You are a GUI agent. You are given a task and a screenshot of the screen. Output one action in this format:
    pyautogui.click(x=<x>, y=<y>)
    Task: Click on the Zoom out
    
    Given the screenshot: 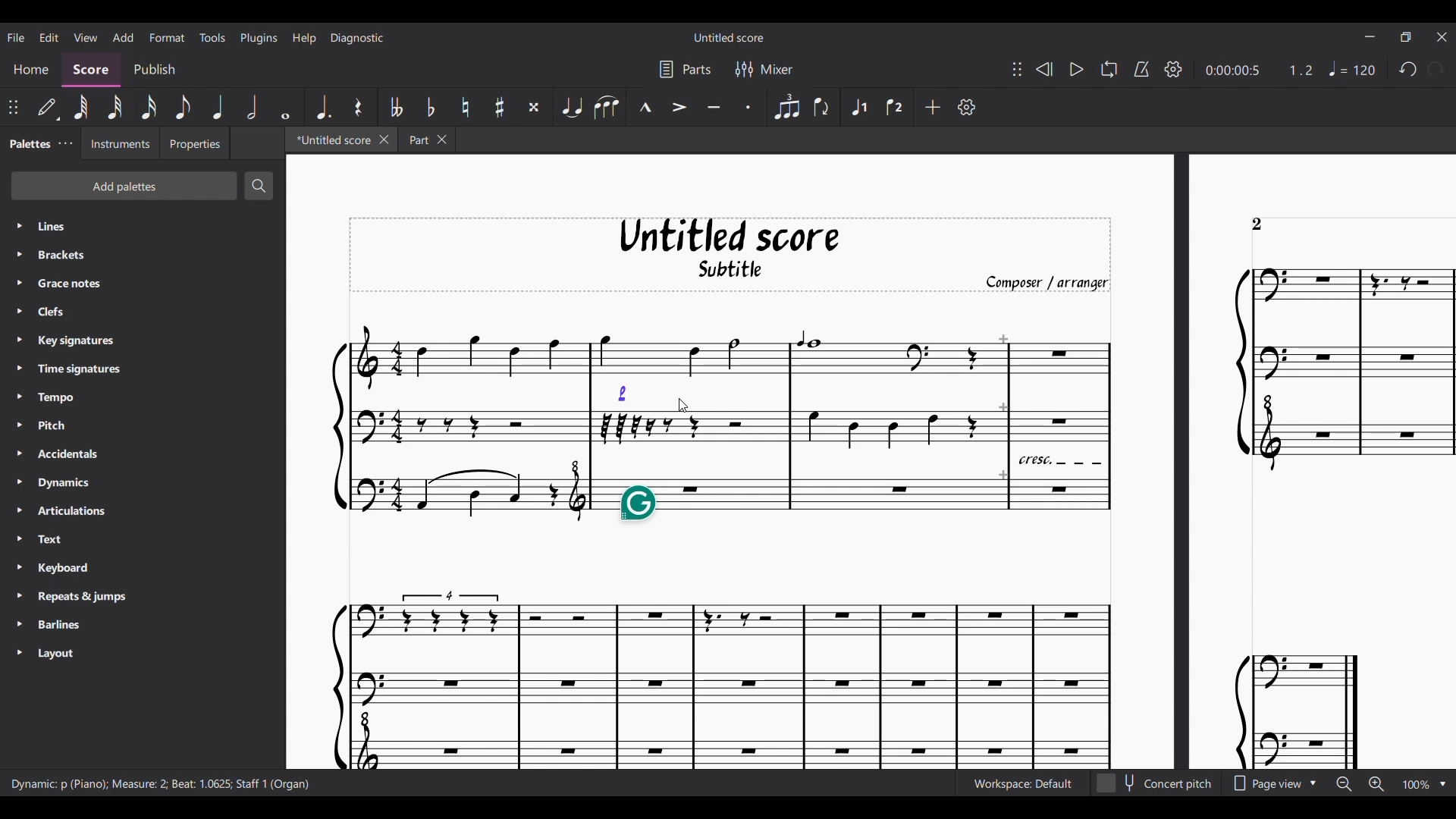 What is the action you would take?
    pyautogui.click(x=1345, y=785)
    